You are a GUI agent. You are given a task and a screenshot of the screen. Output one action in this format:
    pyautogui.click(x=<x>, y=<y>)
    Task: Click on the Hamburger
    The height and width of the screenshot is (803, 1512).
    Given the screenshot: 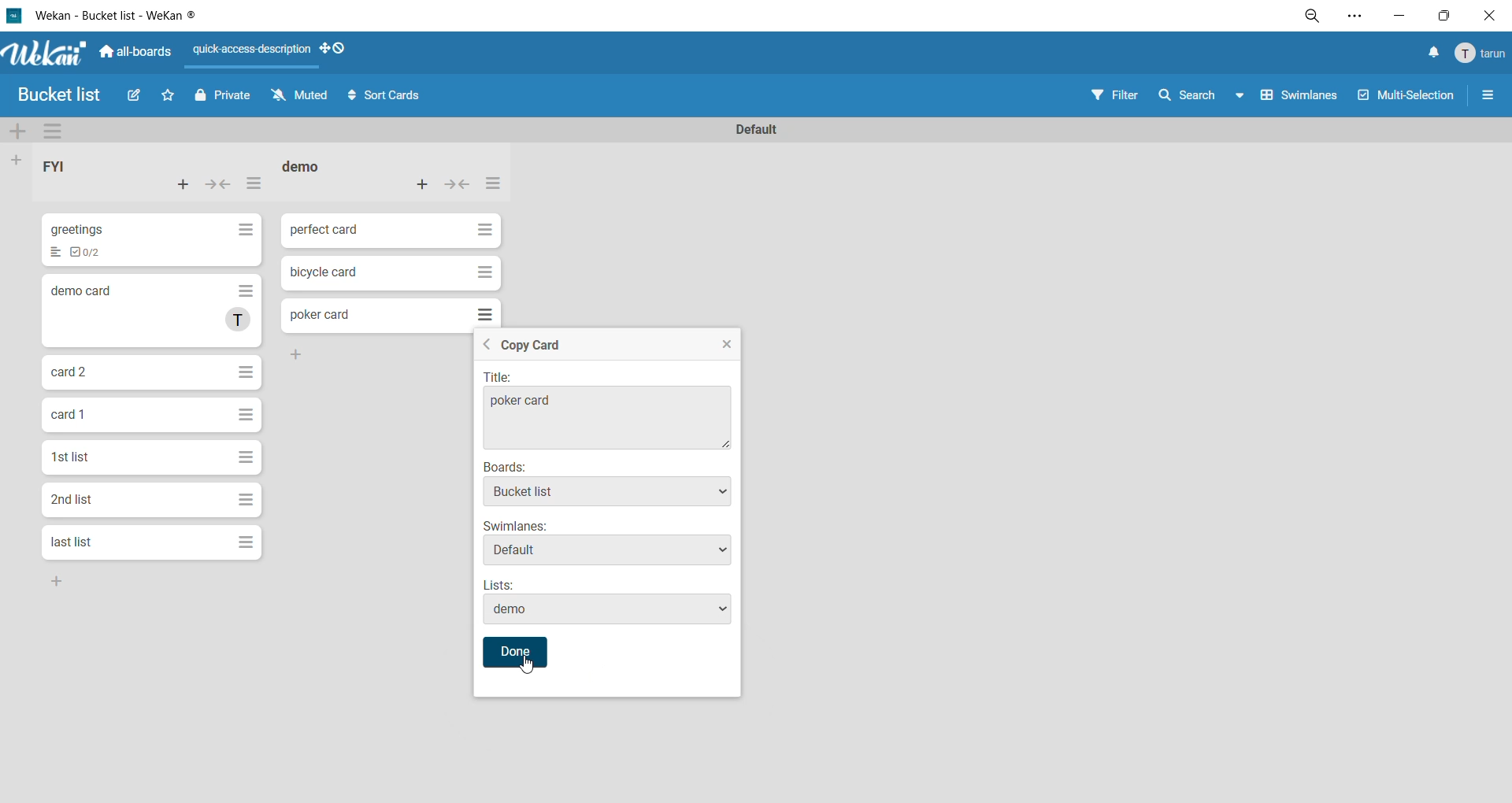 What is the action you would take?
    pyautogui.click(x=249, y=290)
    